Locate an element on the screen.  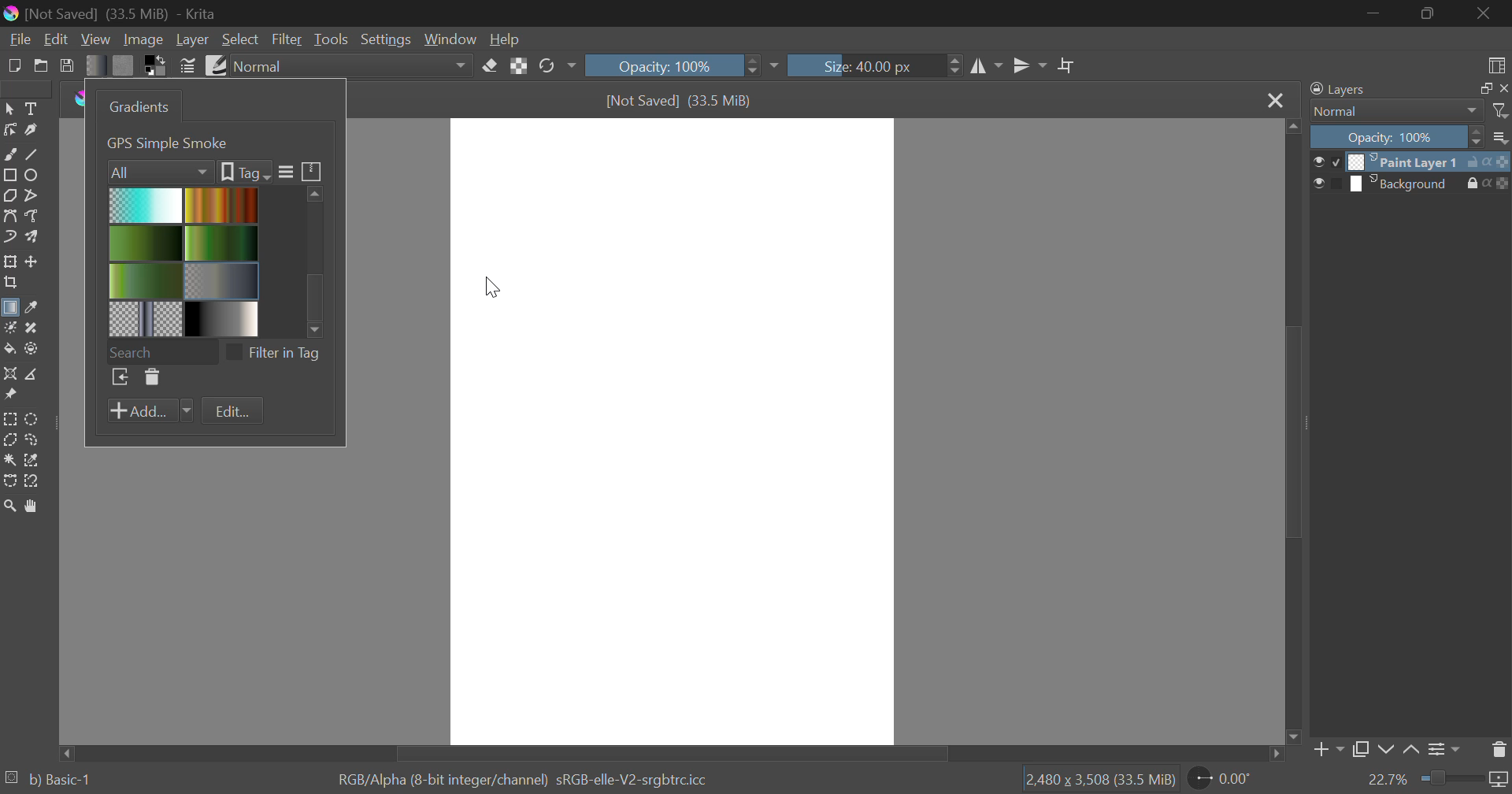
Opacity: 100% is located at coordinates (680, 65).